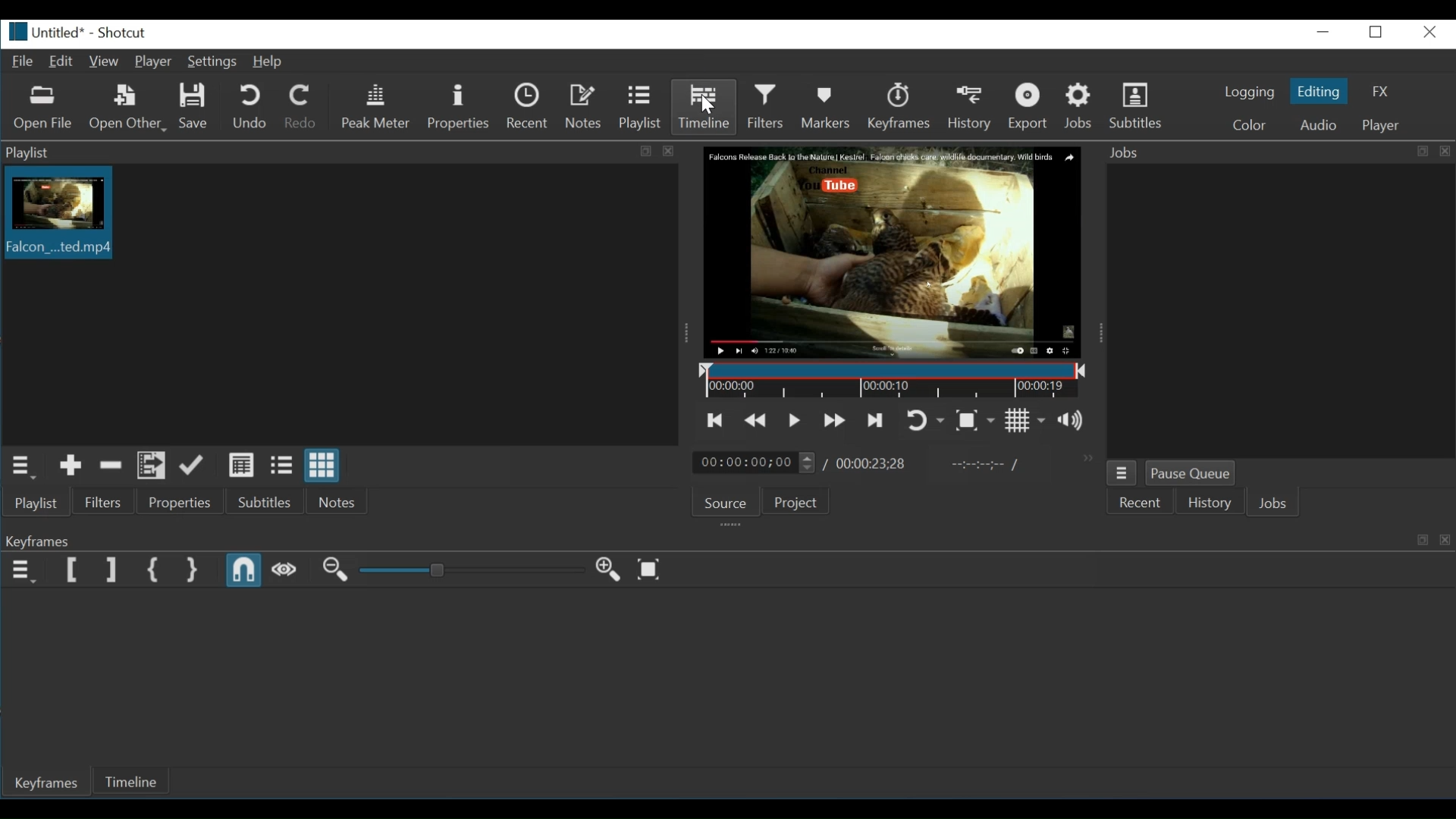 The width and height of the screenshot is (1456, 819). What do you see at coordinates (195, 107) in the screenshot?
I see `Save` at bounding box center [195, 107].